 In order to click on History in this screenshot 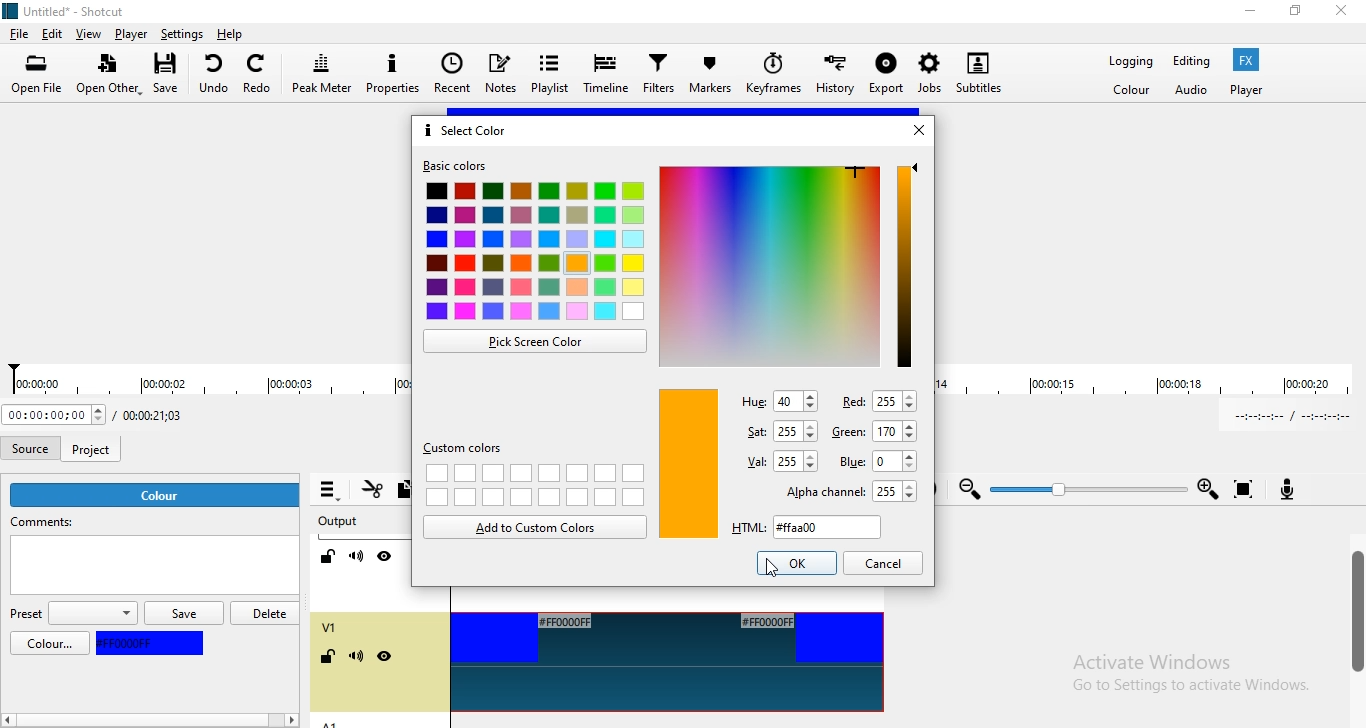, I will do `click(836, 76)`.